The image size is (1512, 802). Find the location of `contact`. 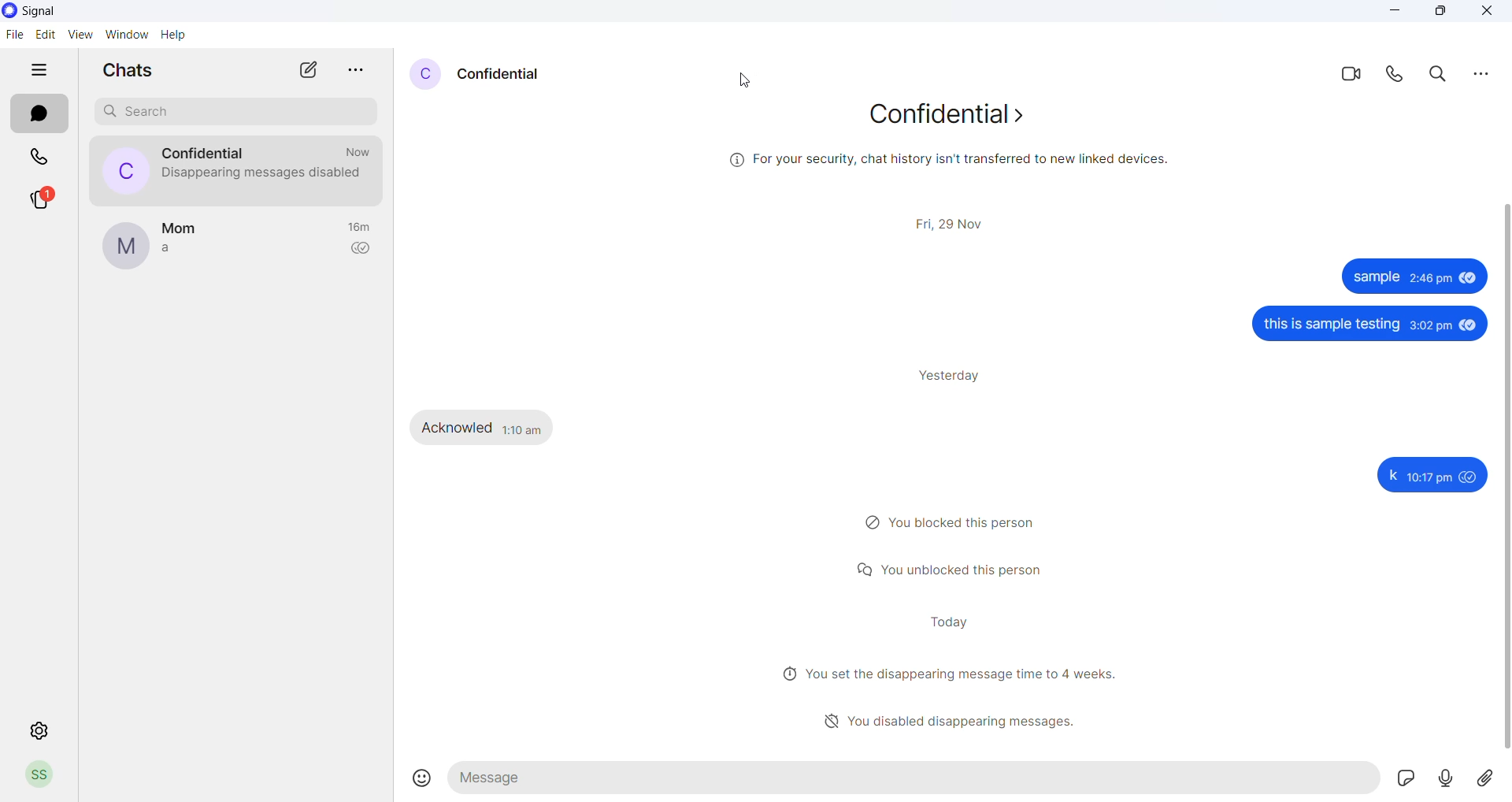

contact is located at coordinates (183, 226).